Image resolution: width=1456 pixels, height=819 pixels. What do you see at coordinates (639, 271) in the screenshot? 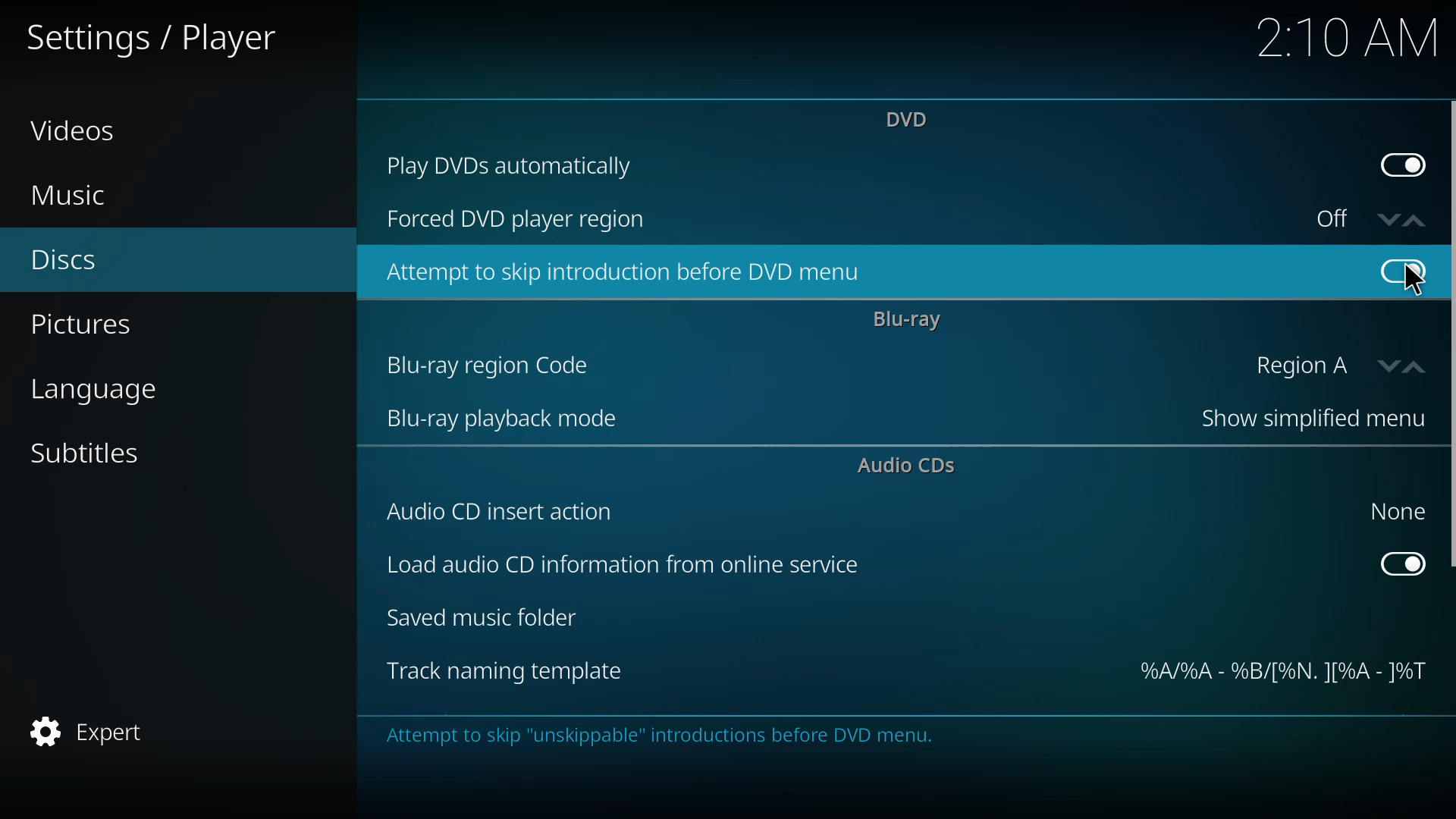
I see `attempt to skip introduction before dvd menu` at bounding box center [639, 271].